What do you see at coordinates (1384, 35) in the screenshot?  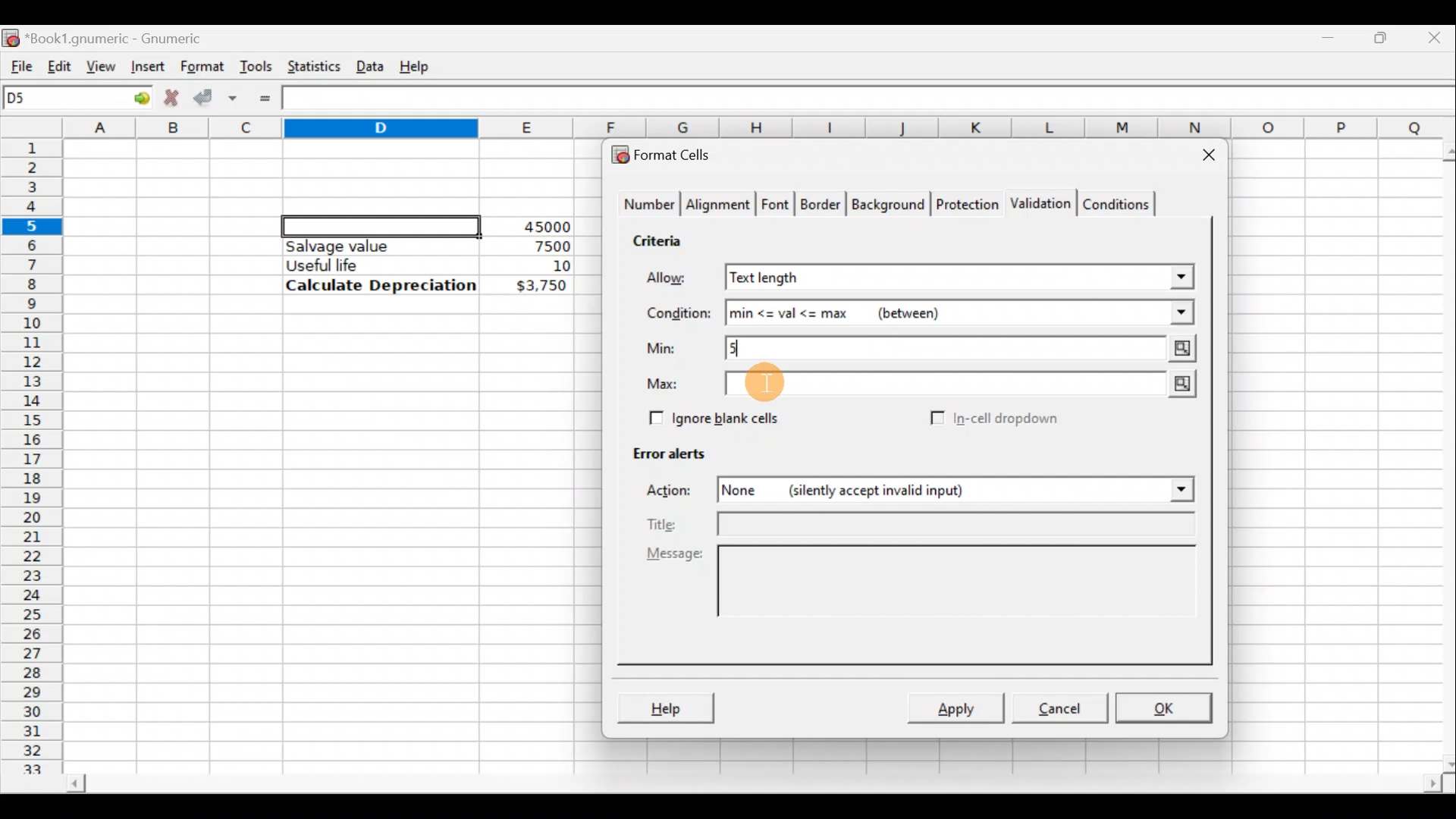 I see `Maximize` at bounding box center [1384, 35].